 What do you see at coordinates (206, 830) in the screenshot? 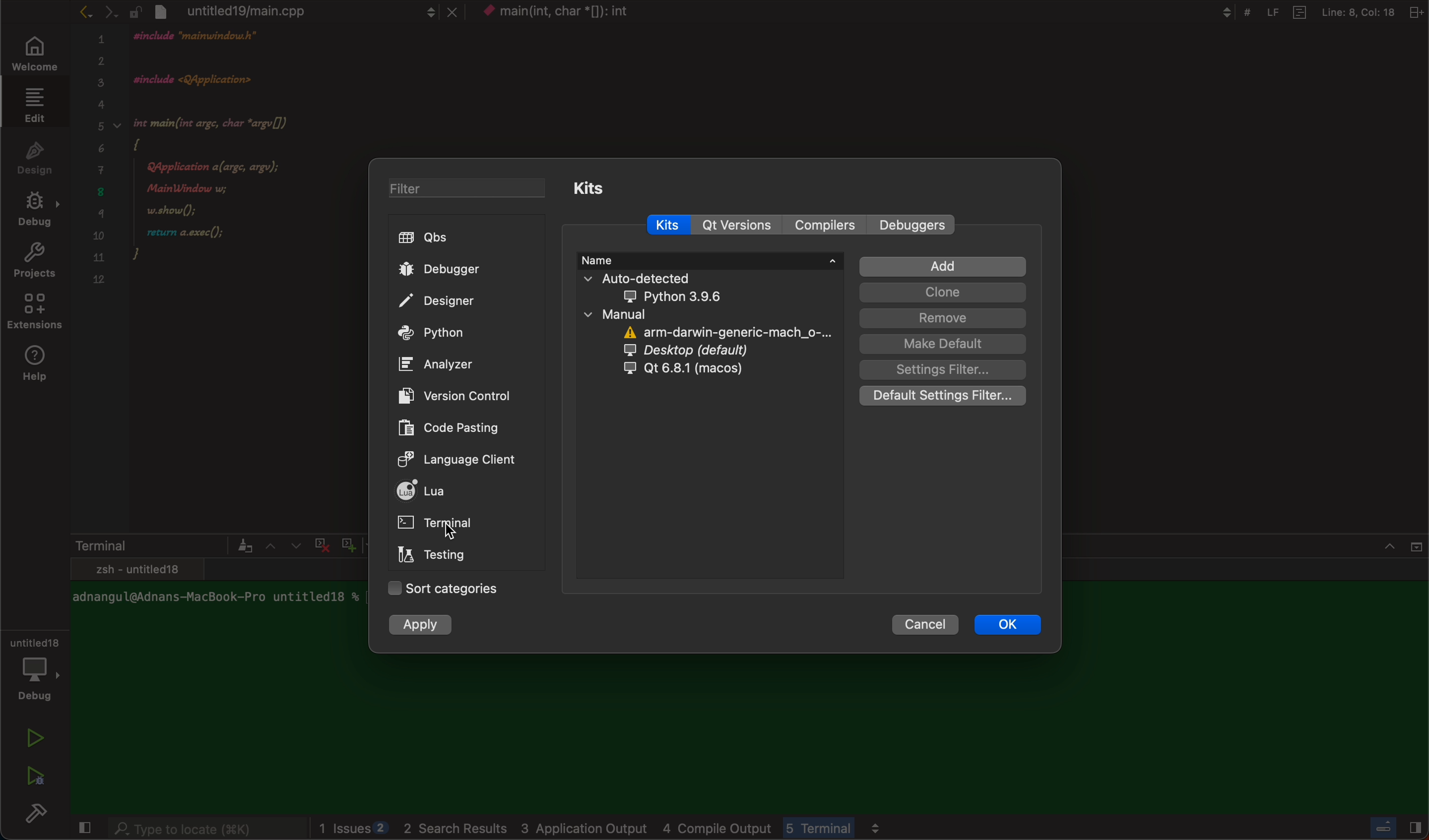
I see `search` at bounding box center [206, 830].